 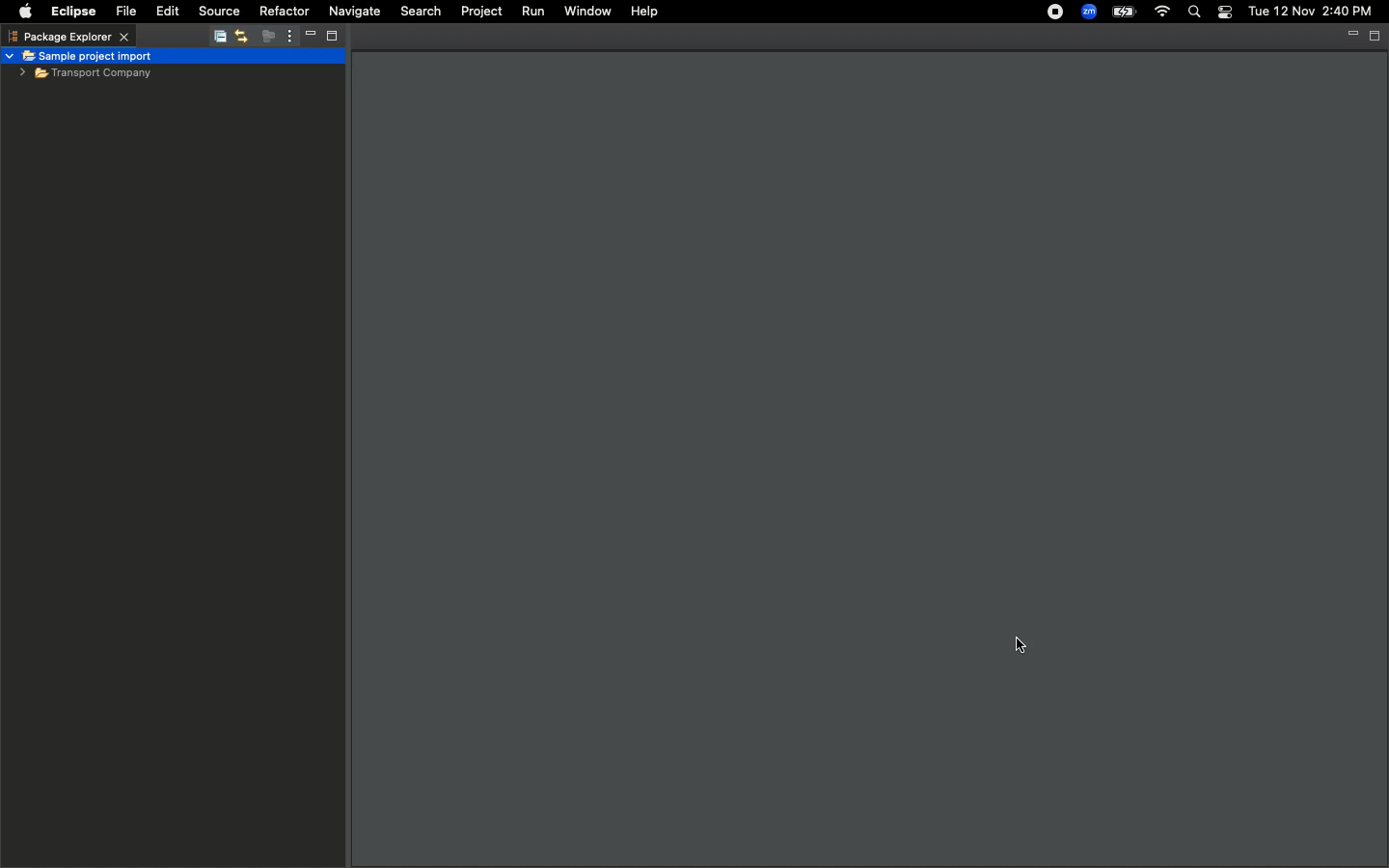 What do you see at coordinates (1192, 13) in the screenshot?
I see `Search` at bounding box center [1192, 13].